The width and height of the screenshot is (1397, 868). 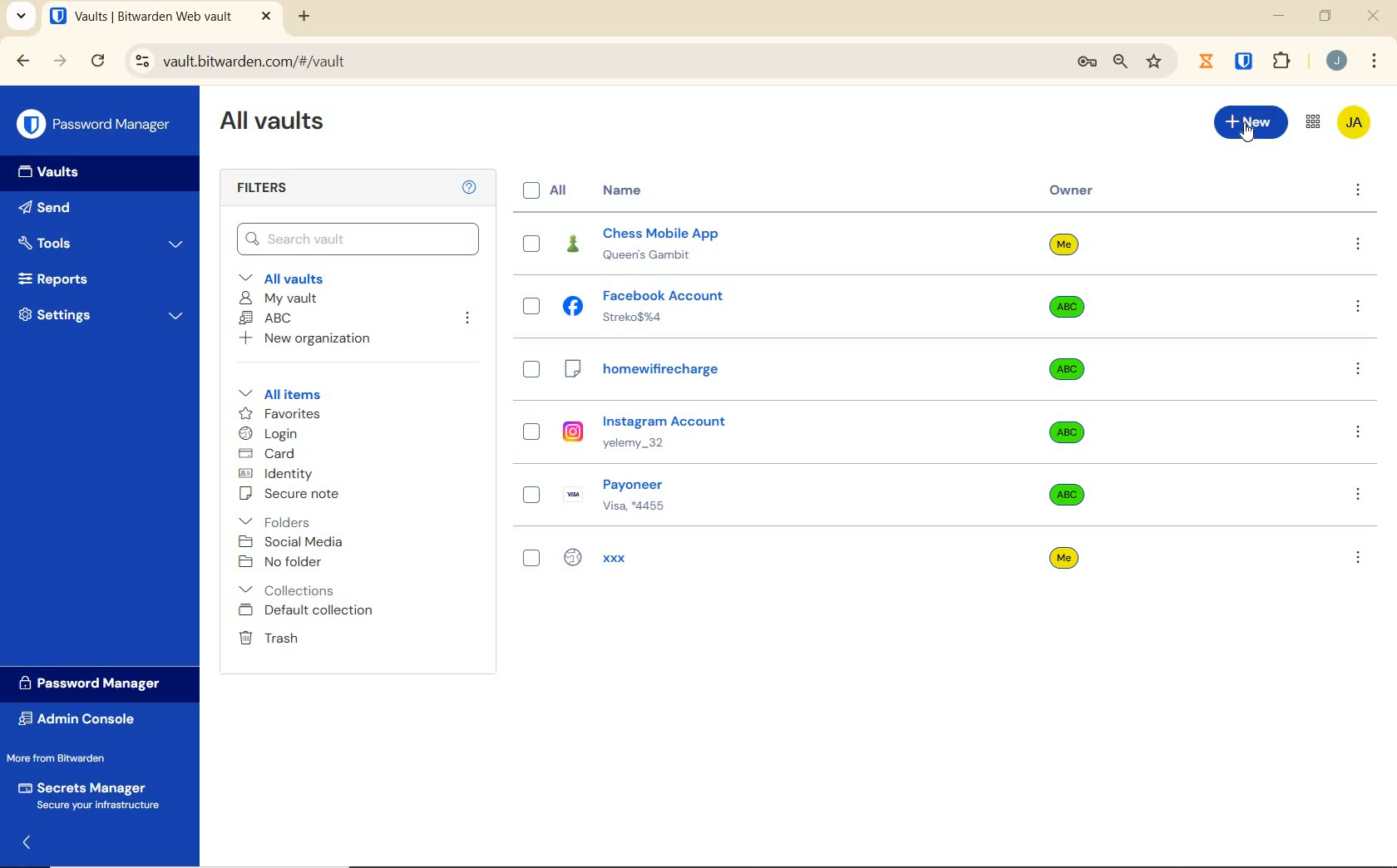 I want to click on Send, so click(x=48, y=206).